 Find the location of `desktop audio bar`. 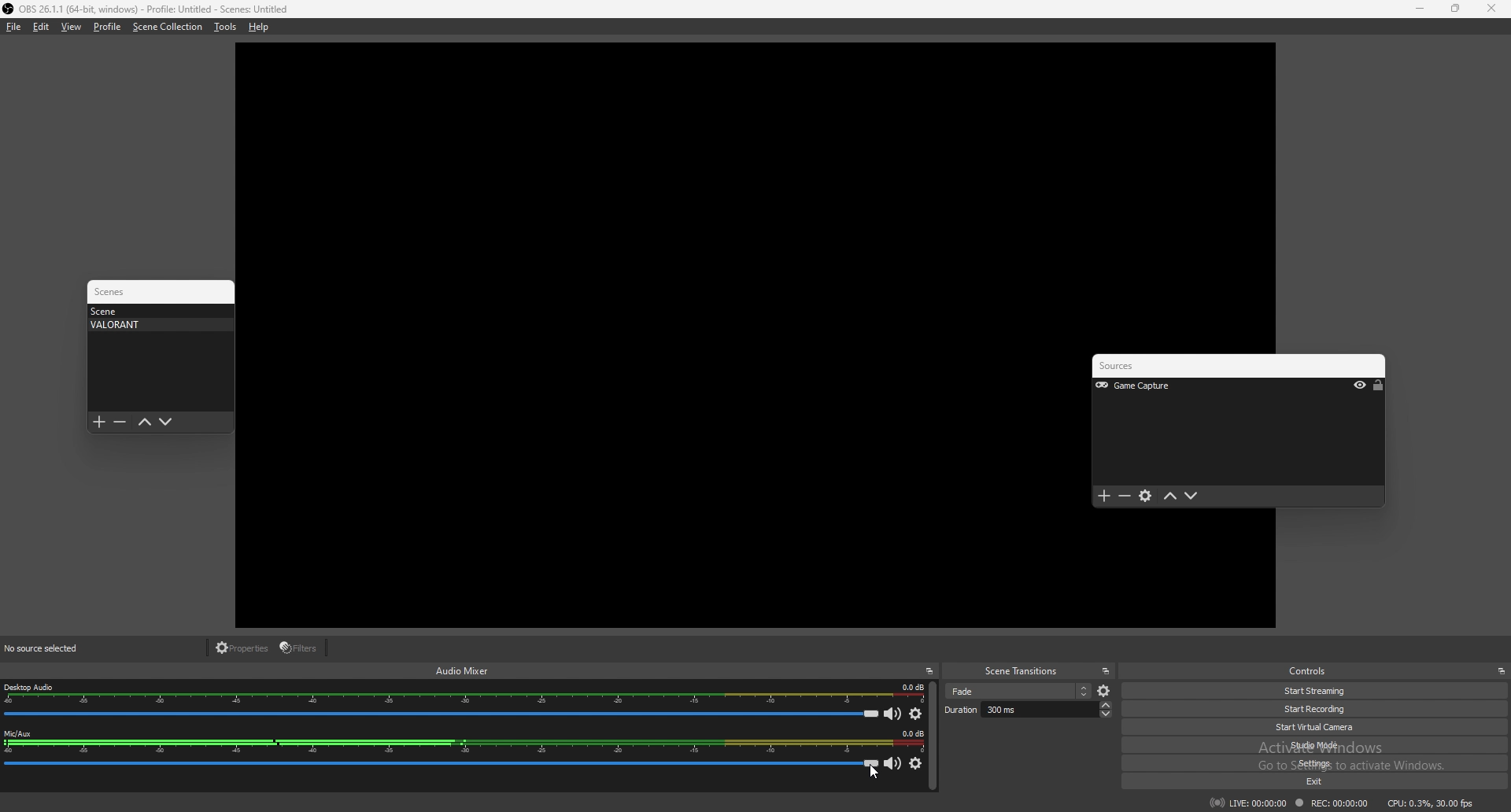

desktop audio bar is located at coordinates (441, 714).